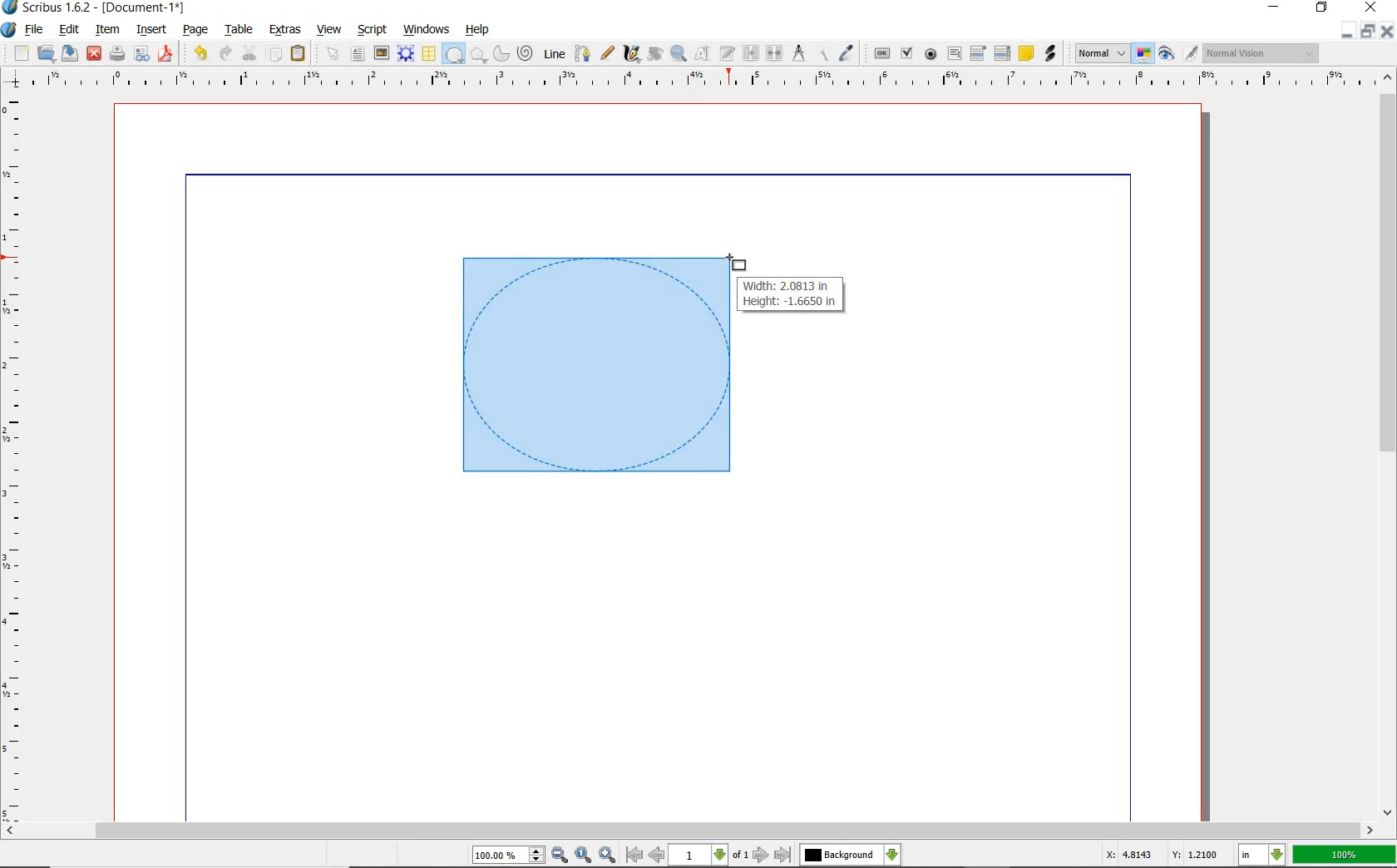 This screenshot has height=868, width=1397. What do you see at coordinates (1389, 442) in the screenshot?
I see `SCROLLBAR` at bounding box center [1389, 442].